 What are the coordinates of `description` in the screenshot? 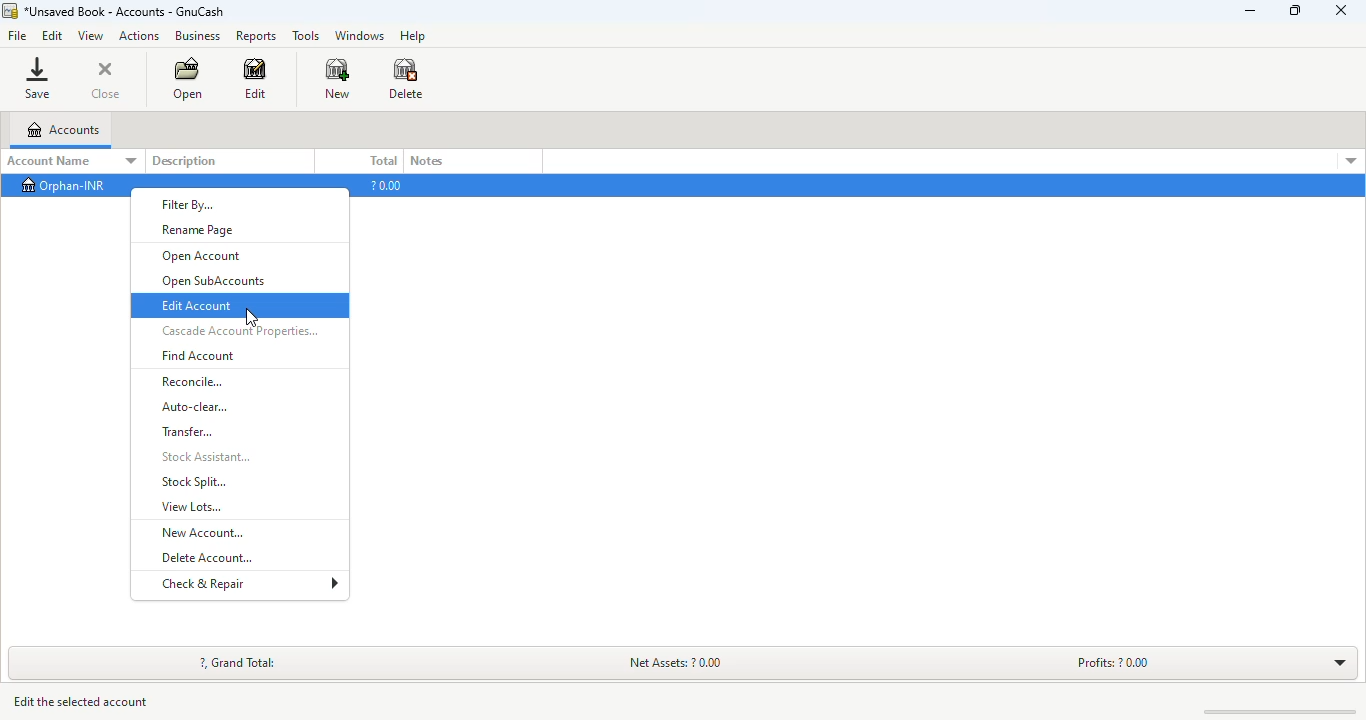 It's located at (184, 162).